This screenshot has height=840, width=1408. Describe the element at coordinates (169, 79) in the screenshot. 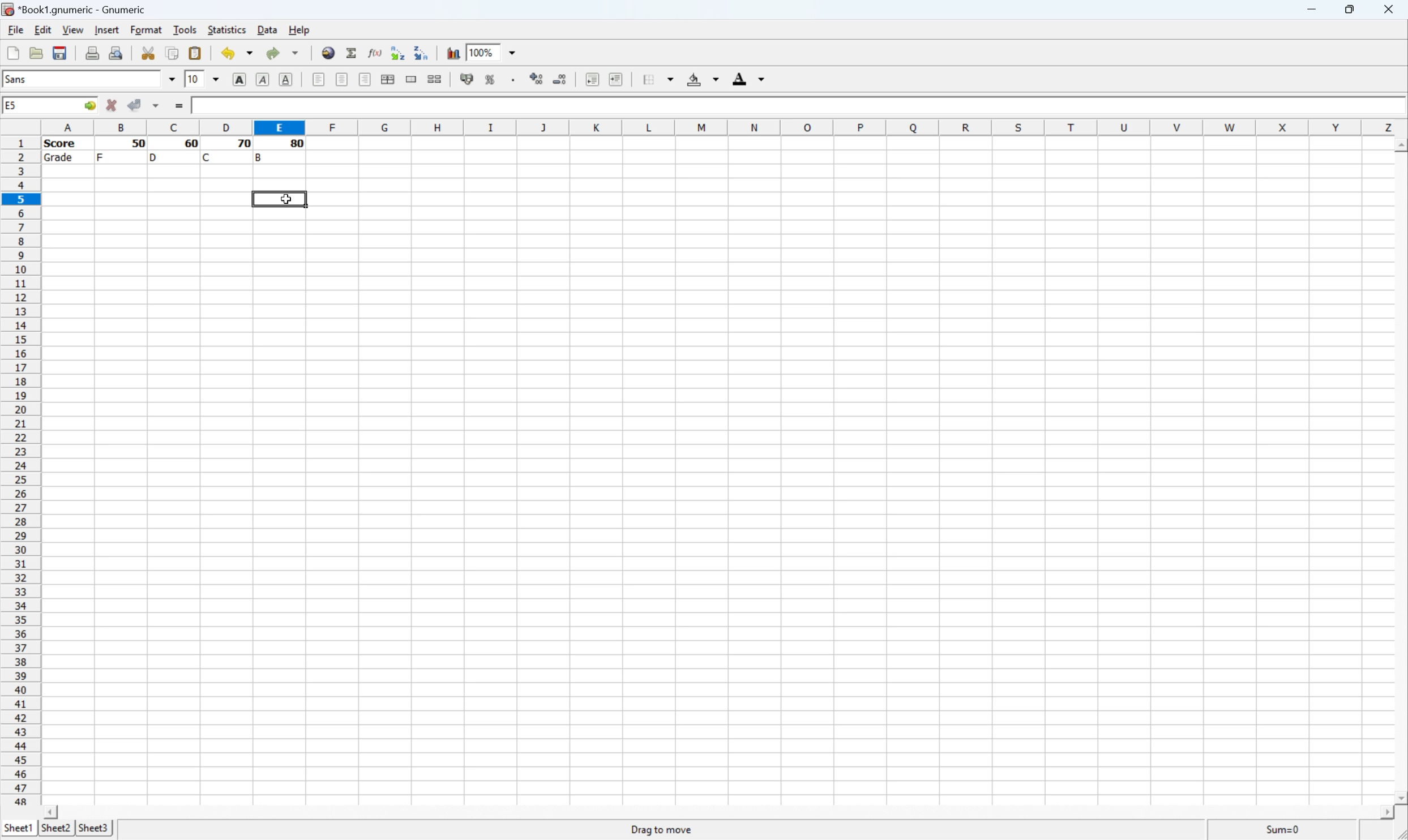

I see `Drop Down` at that location.